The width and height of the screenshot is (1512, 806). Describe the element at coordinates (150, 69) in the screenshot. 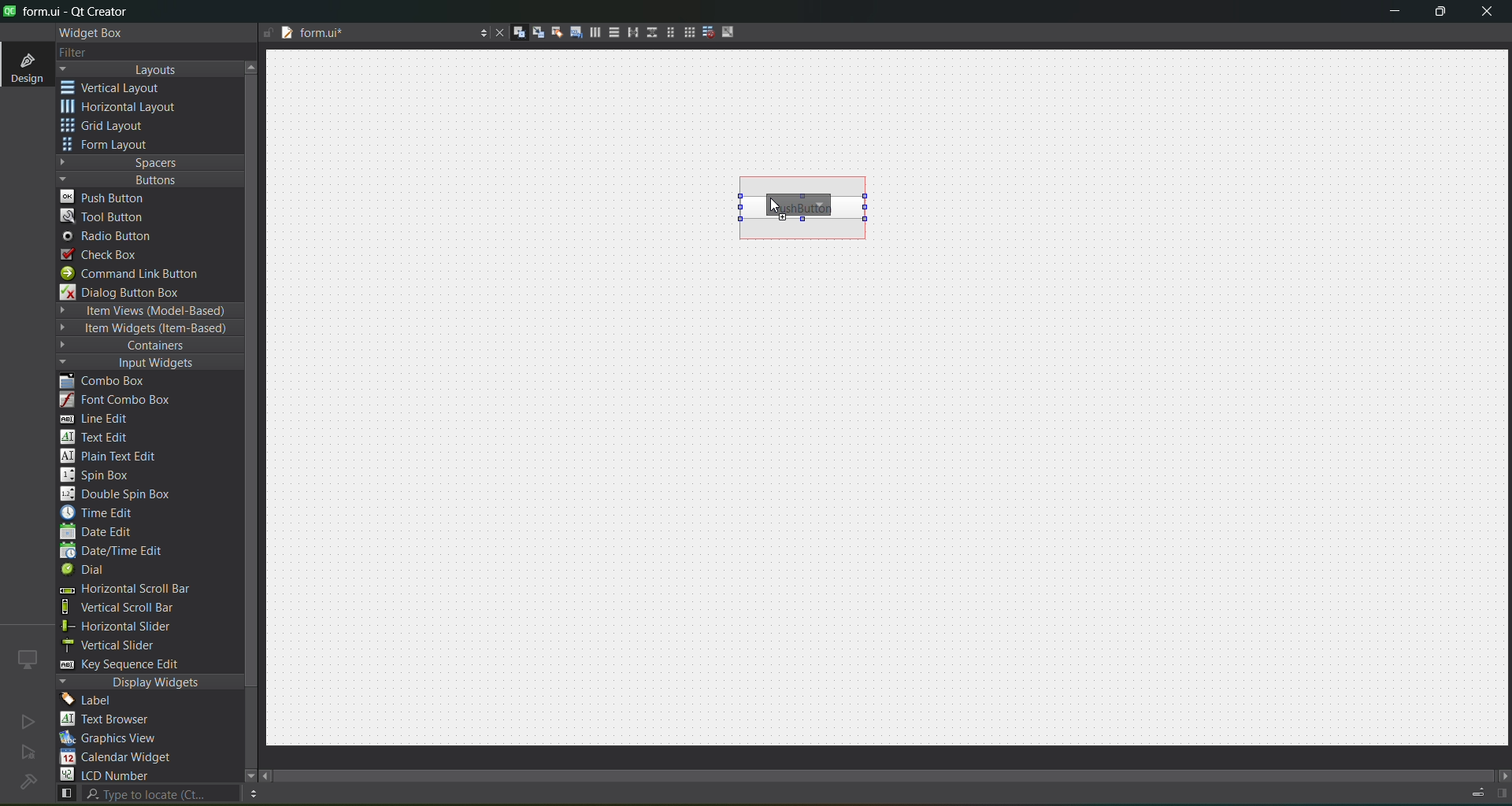

I see `layouts` at that location.